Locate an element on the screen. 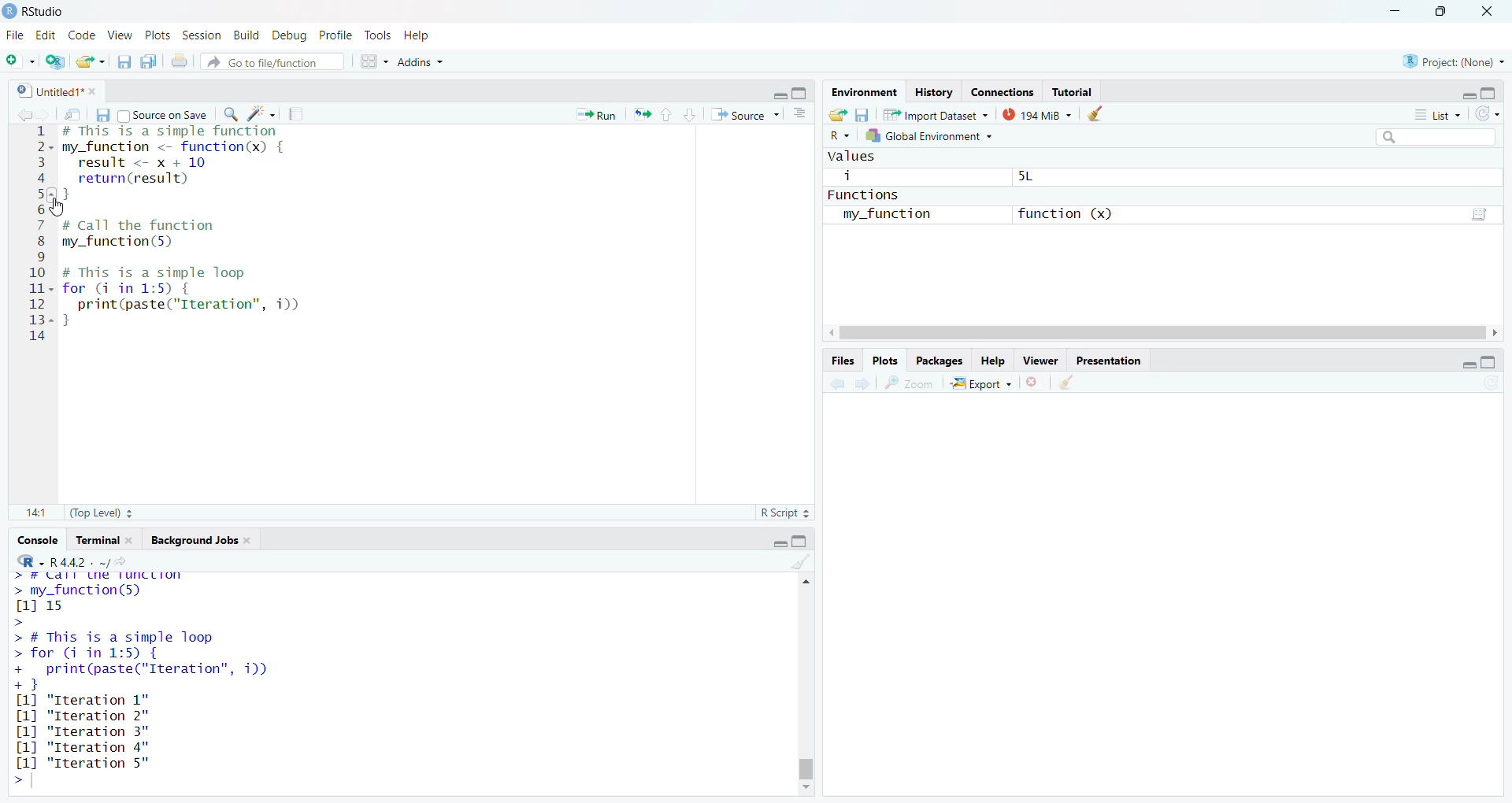 The width and height of the screenshot is (1512, 803). language select is located at coordinates (23, 561).